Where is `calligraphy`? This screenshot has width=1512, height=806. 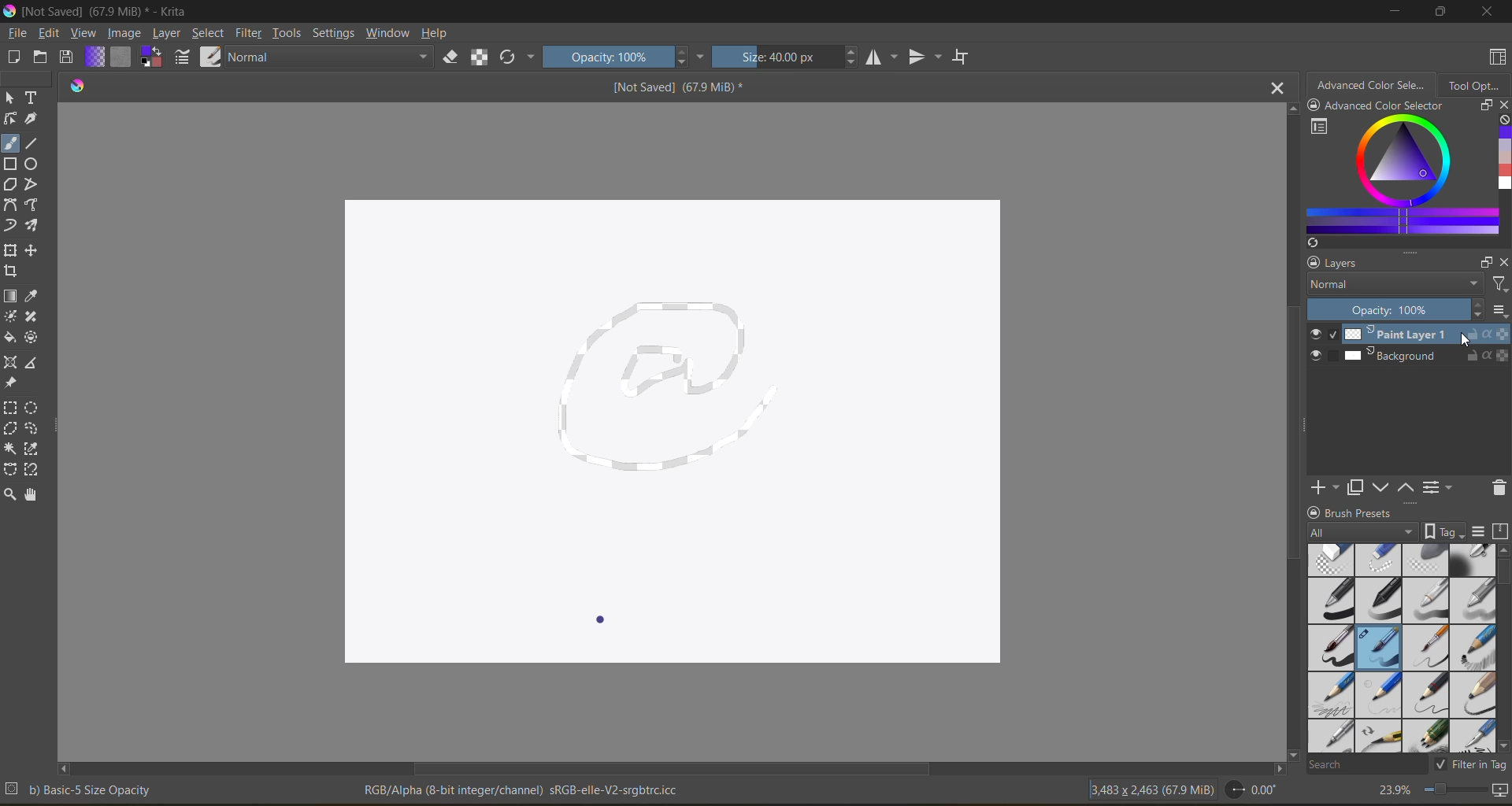
calligraphy is located at coordinates (1473, 736).